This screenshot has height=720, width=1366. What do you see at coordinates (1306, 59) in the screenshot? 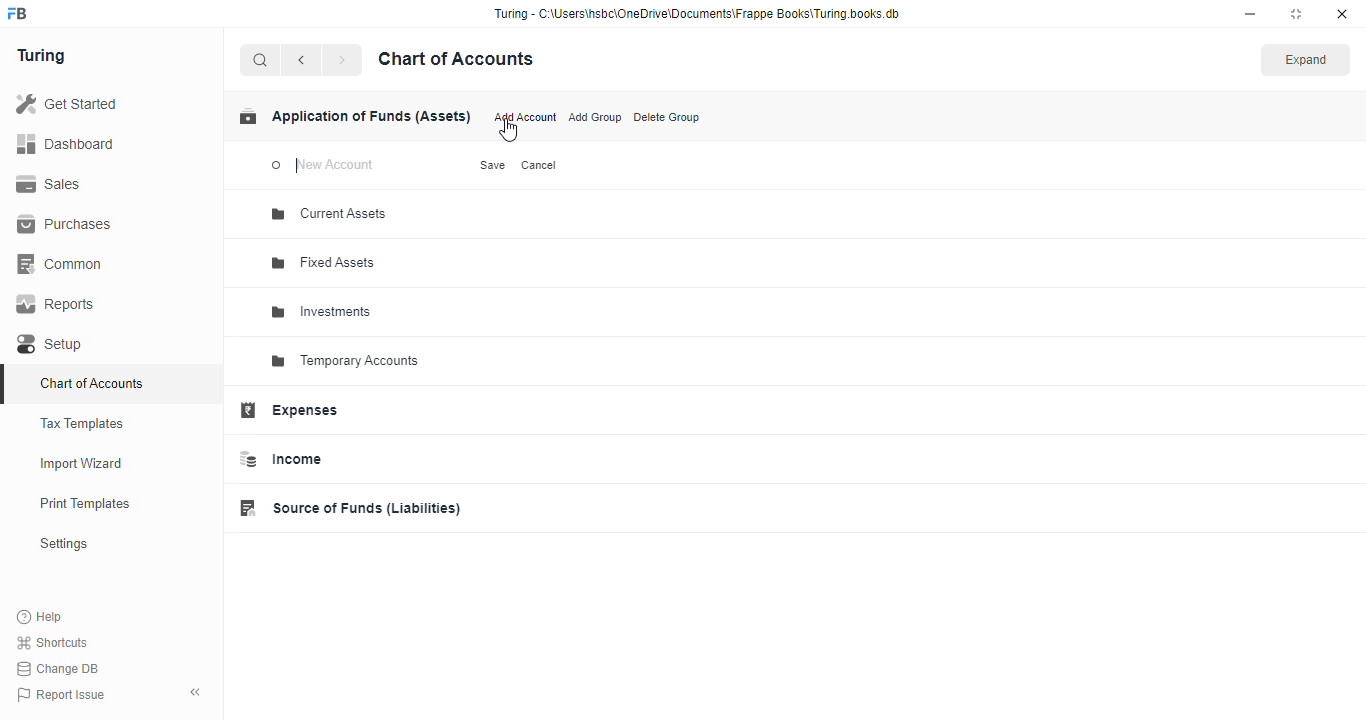
I see `expand` at bounding box center [1306, 59].